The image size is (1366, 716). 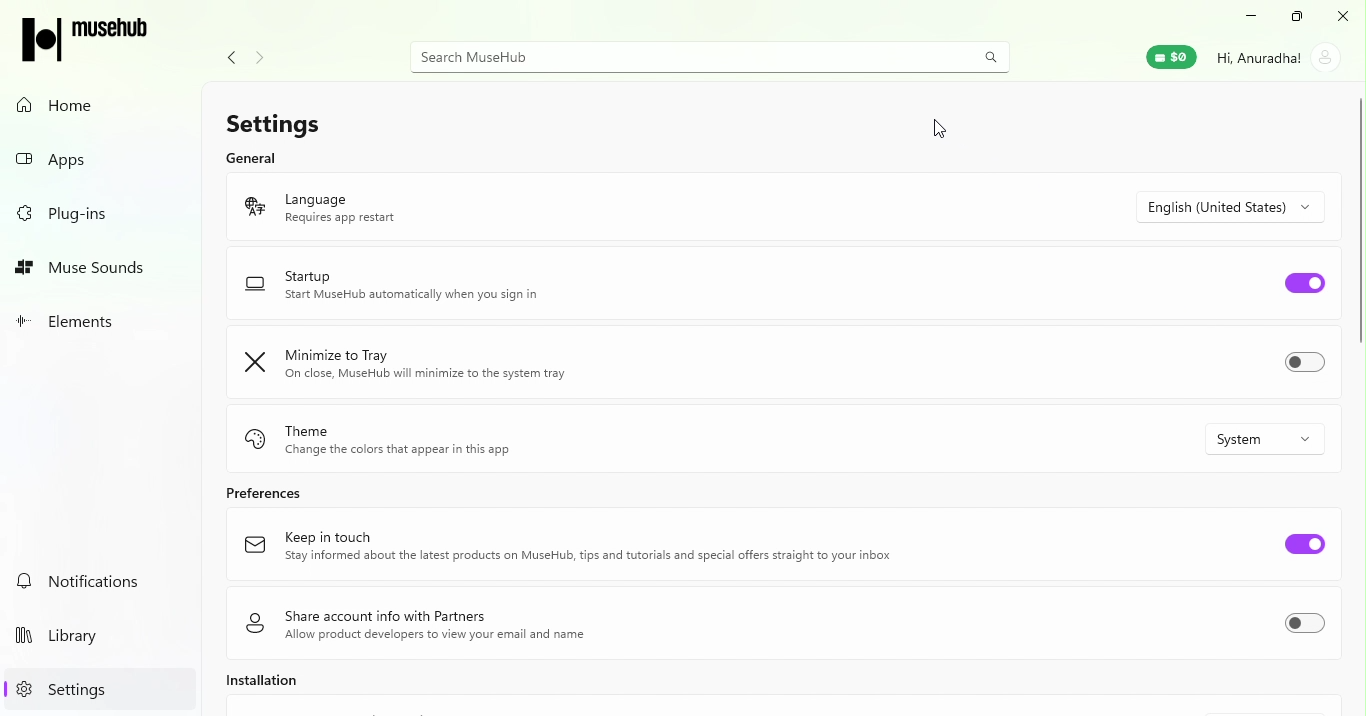 I want to click on Muse wallet, so click(x=1174, y=61).